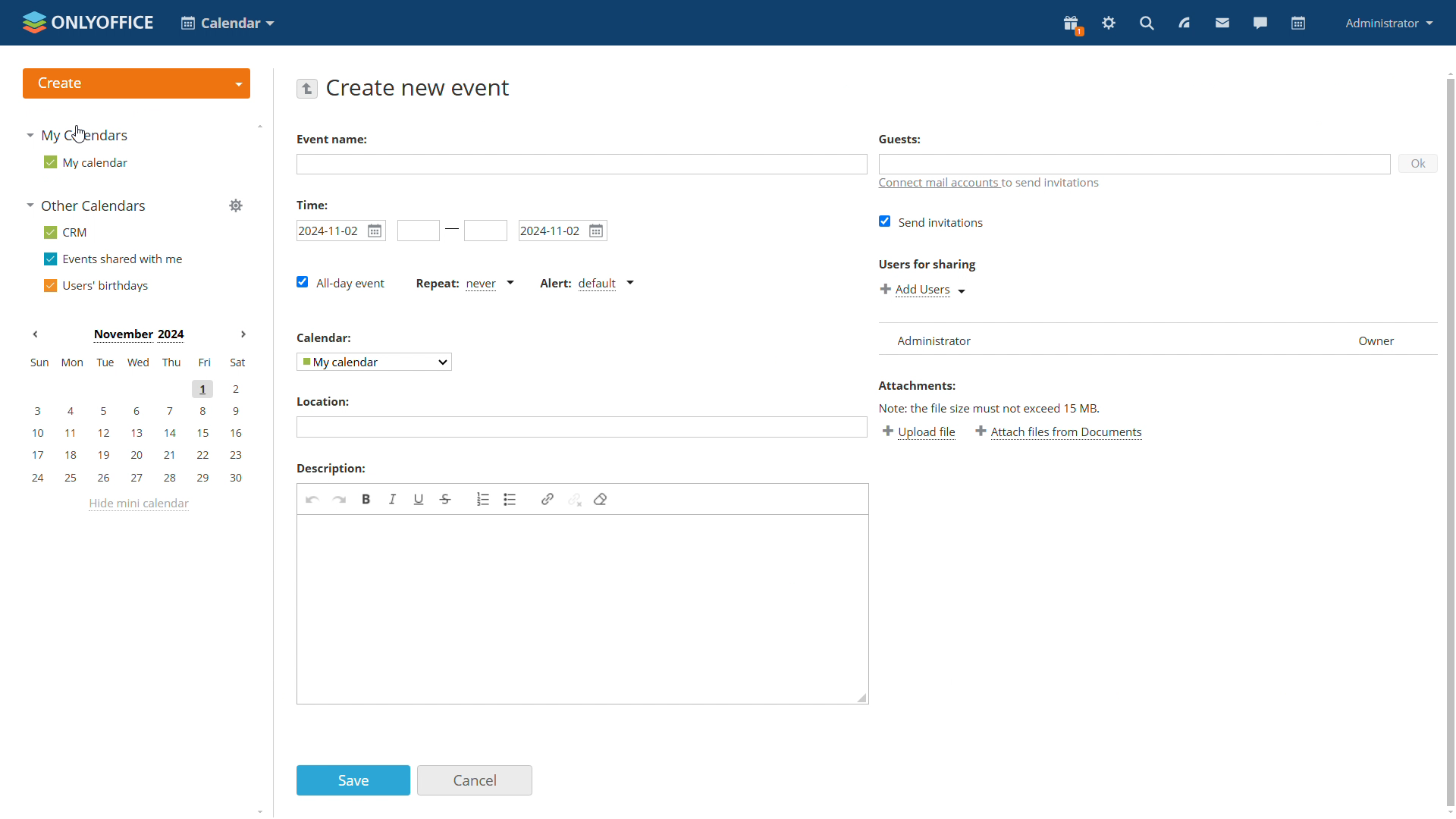 This screenshot has height=819, width=1456. I want to click on ok, so click(1420, 162).